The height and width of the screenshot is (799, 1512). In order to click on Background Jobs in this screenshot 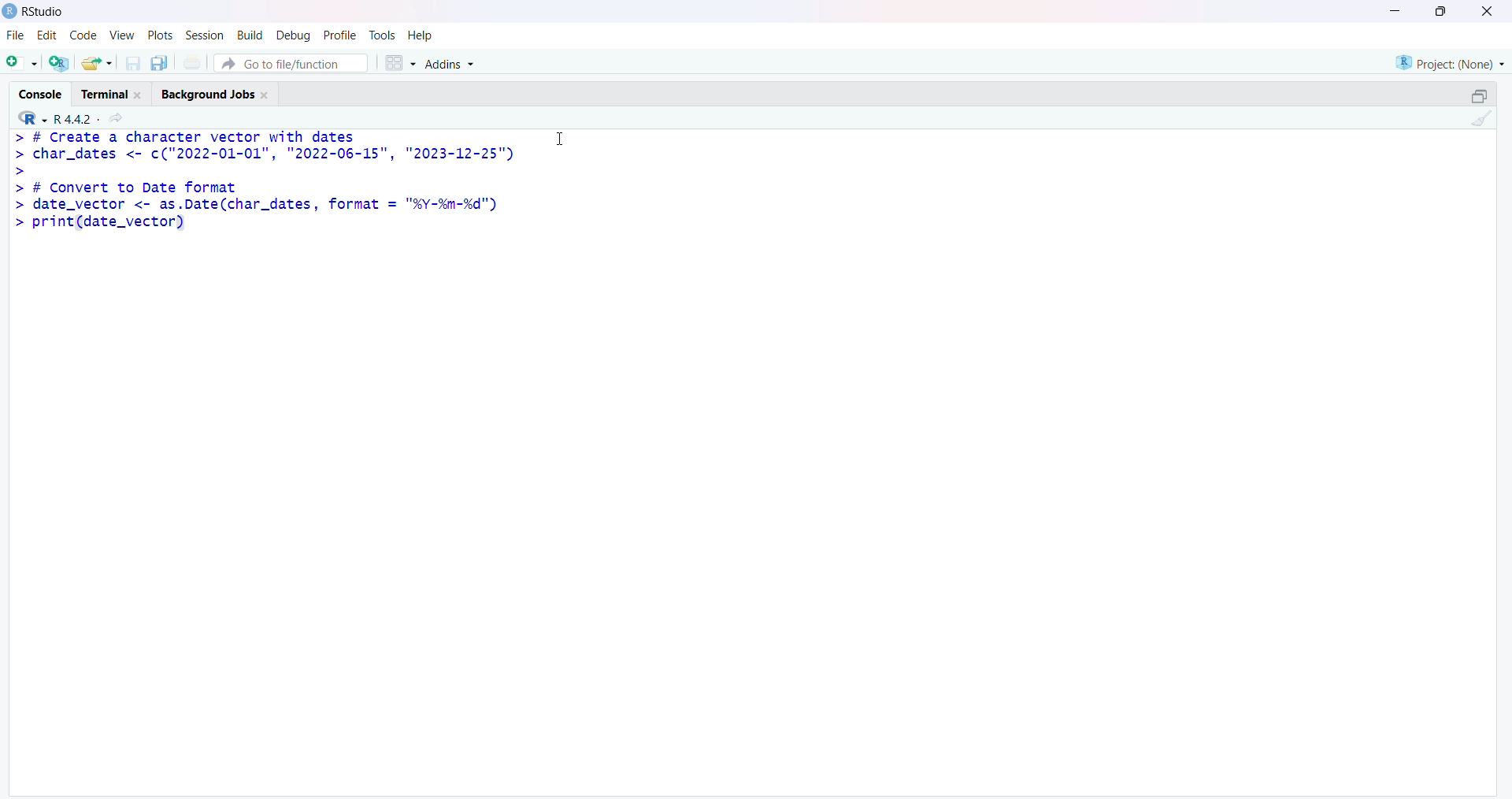, I will do `click(220, 92)`.